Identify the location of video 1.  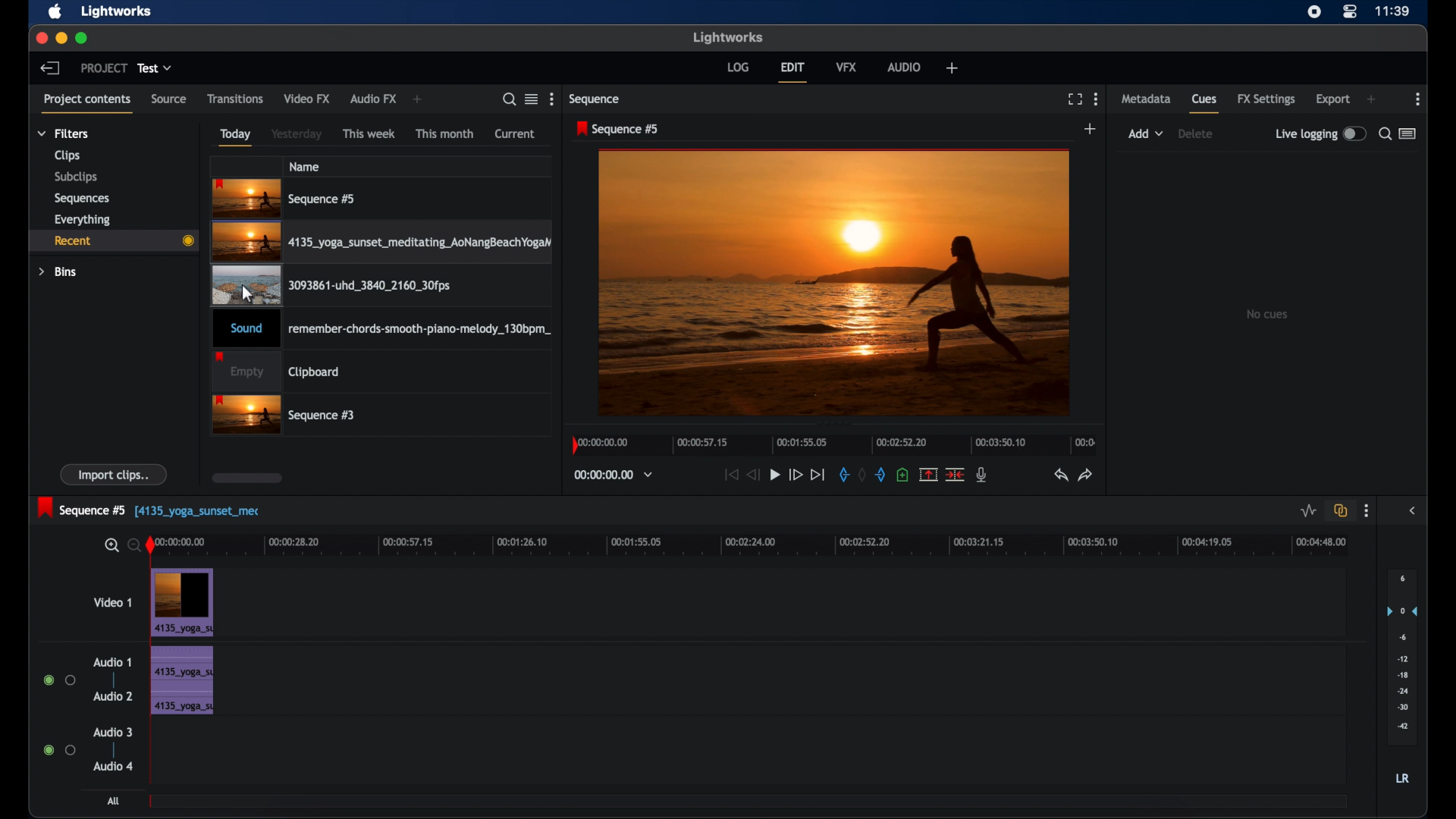
(115, 602).